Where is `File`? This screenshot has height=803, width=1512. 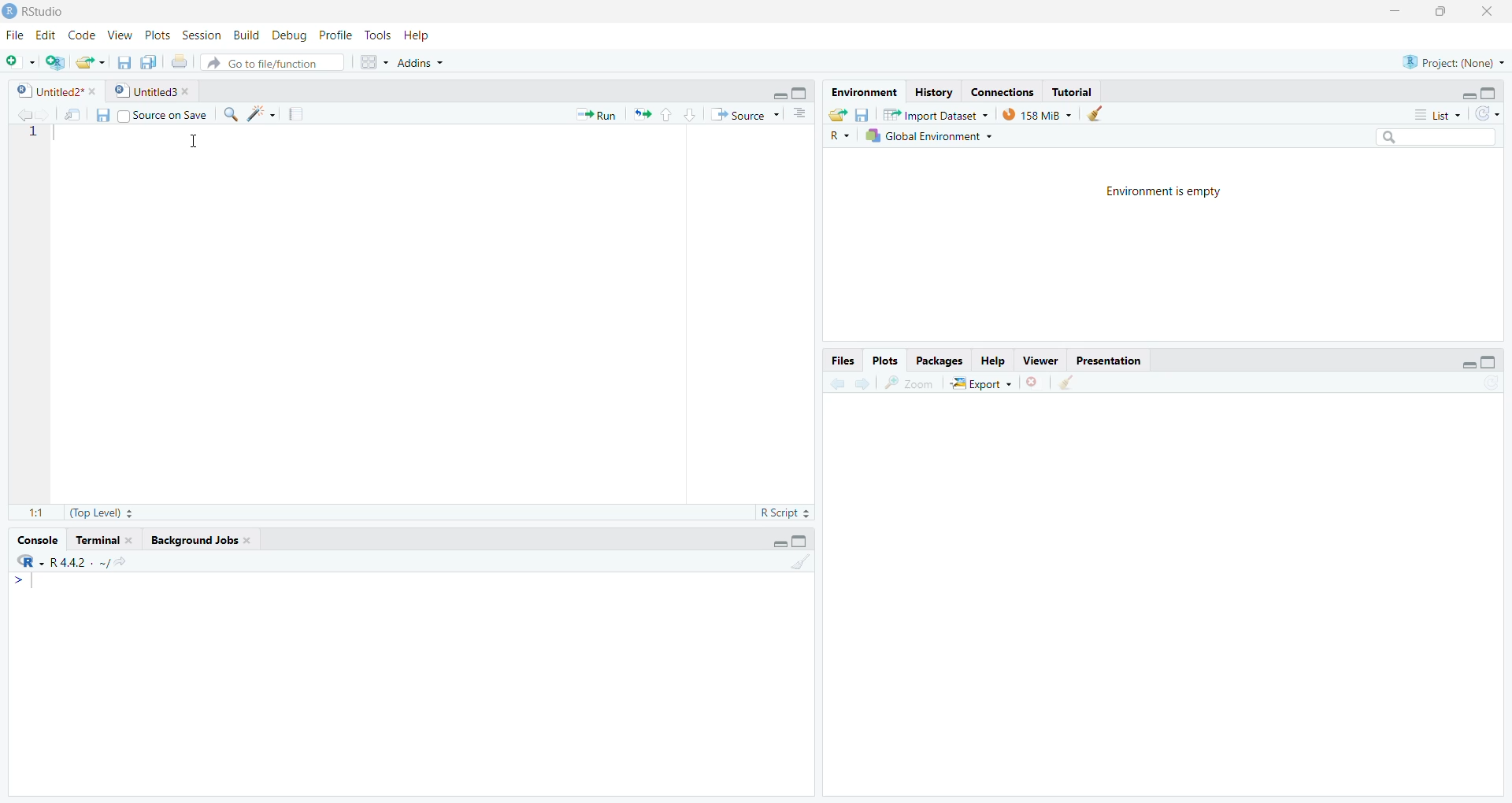
File is located at coordinates (13, 35).